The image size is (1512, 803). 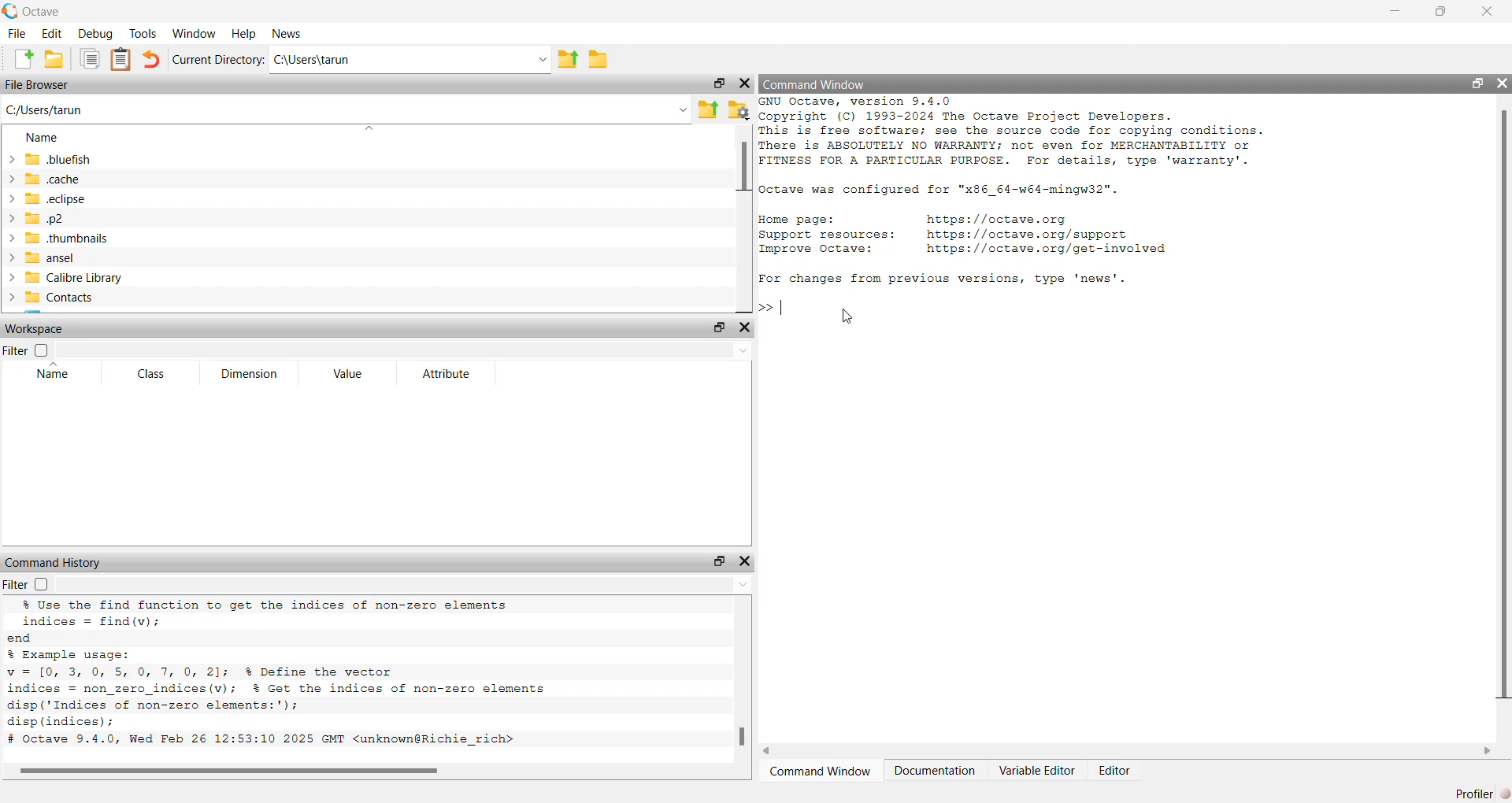 I want to click on close, so click(x=745, y=329).